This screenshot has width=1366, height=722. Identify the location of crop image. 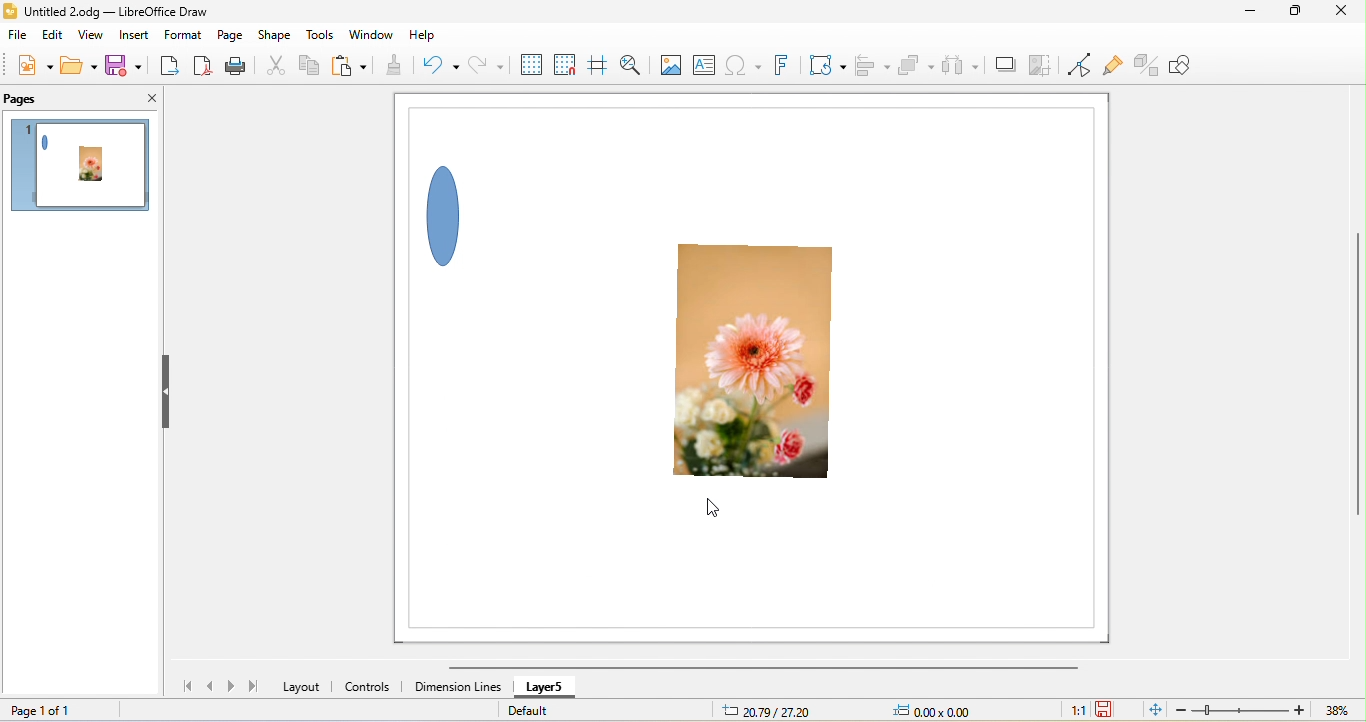
(1030, 66).